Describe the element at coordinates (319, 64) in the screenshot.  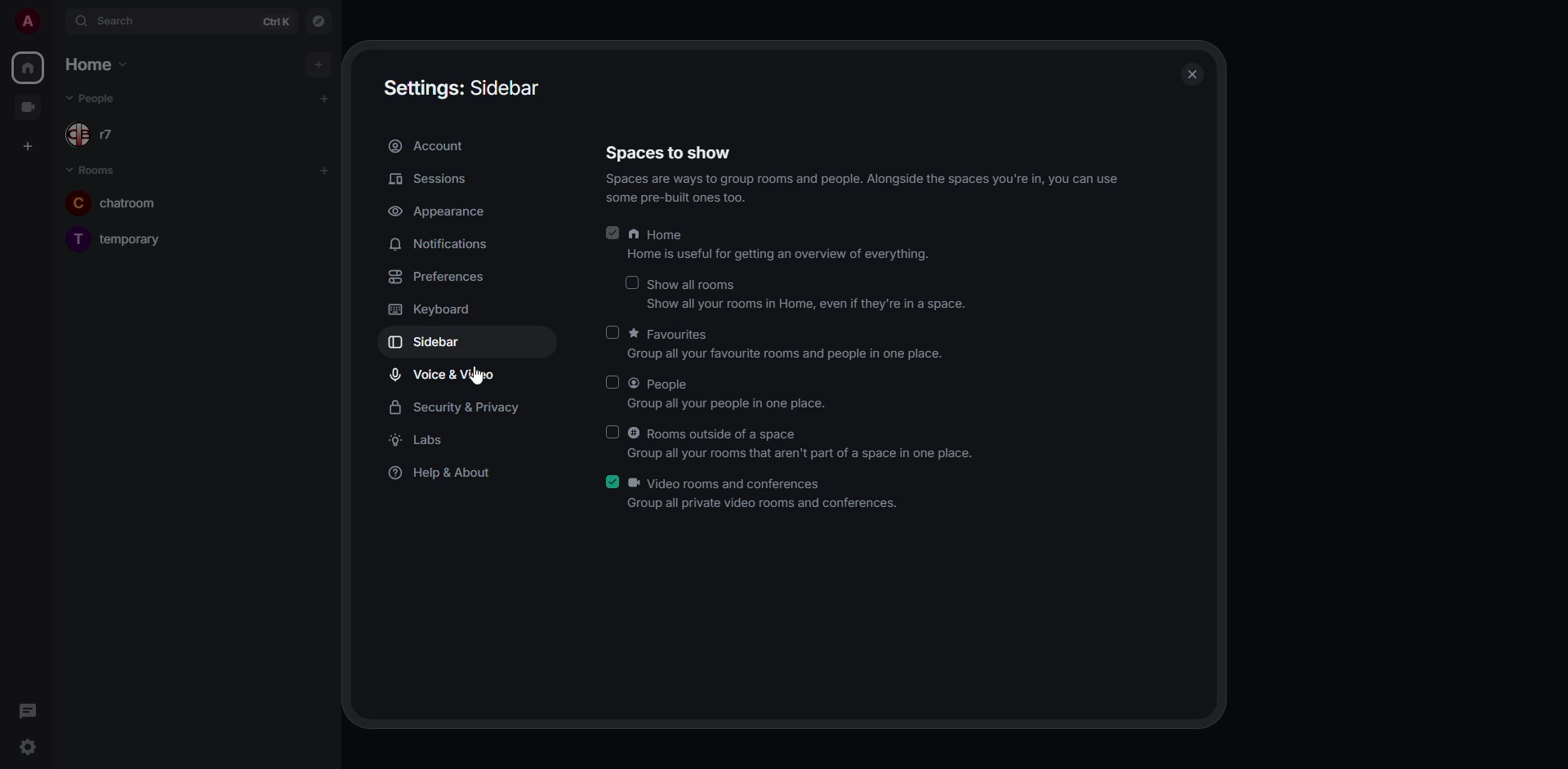
I see `add` at that location.